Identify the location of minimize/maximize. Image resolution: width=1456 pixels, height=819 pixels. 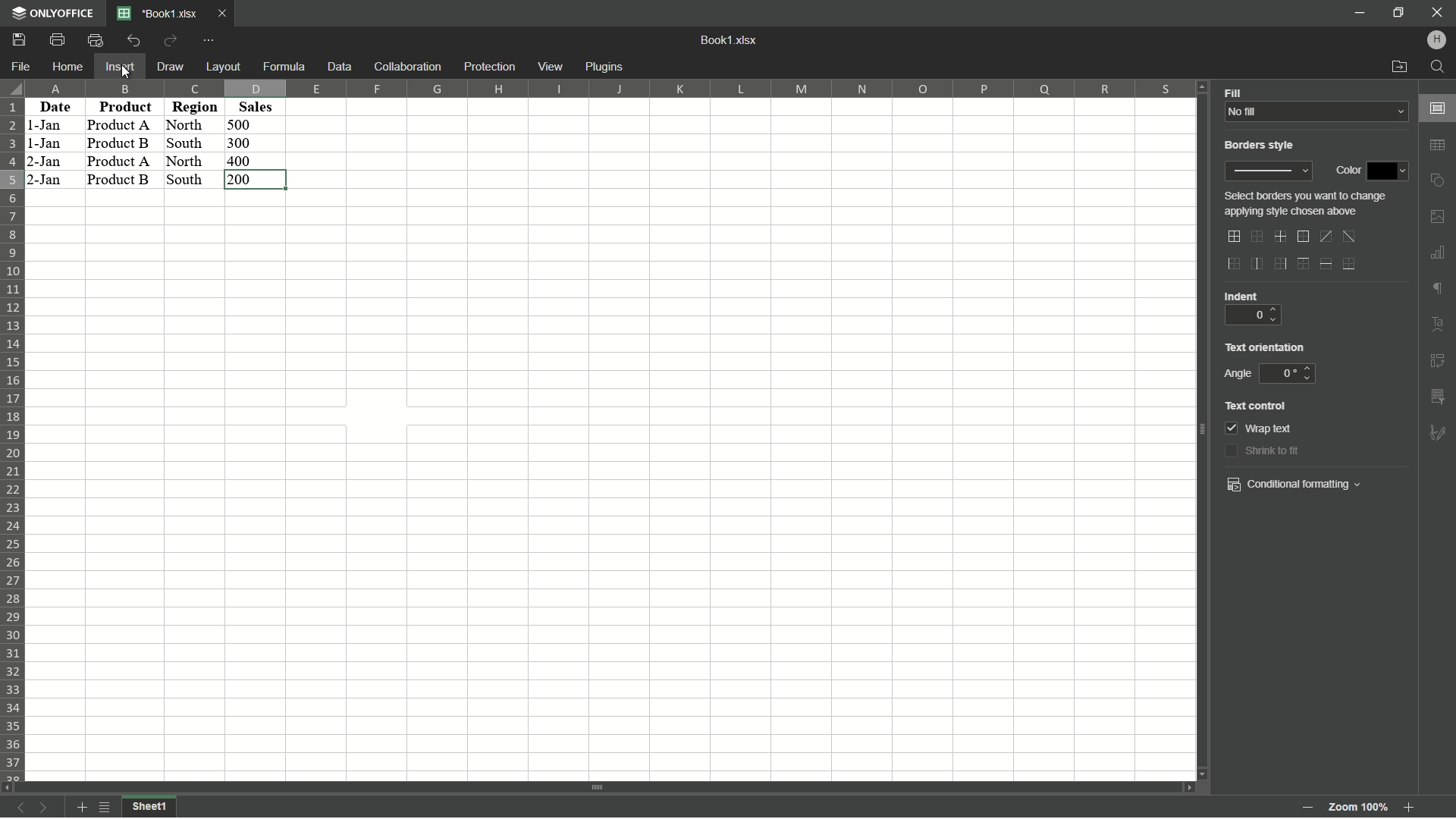
(1398, 13).